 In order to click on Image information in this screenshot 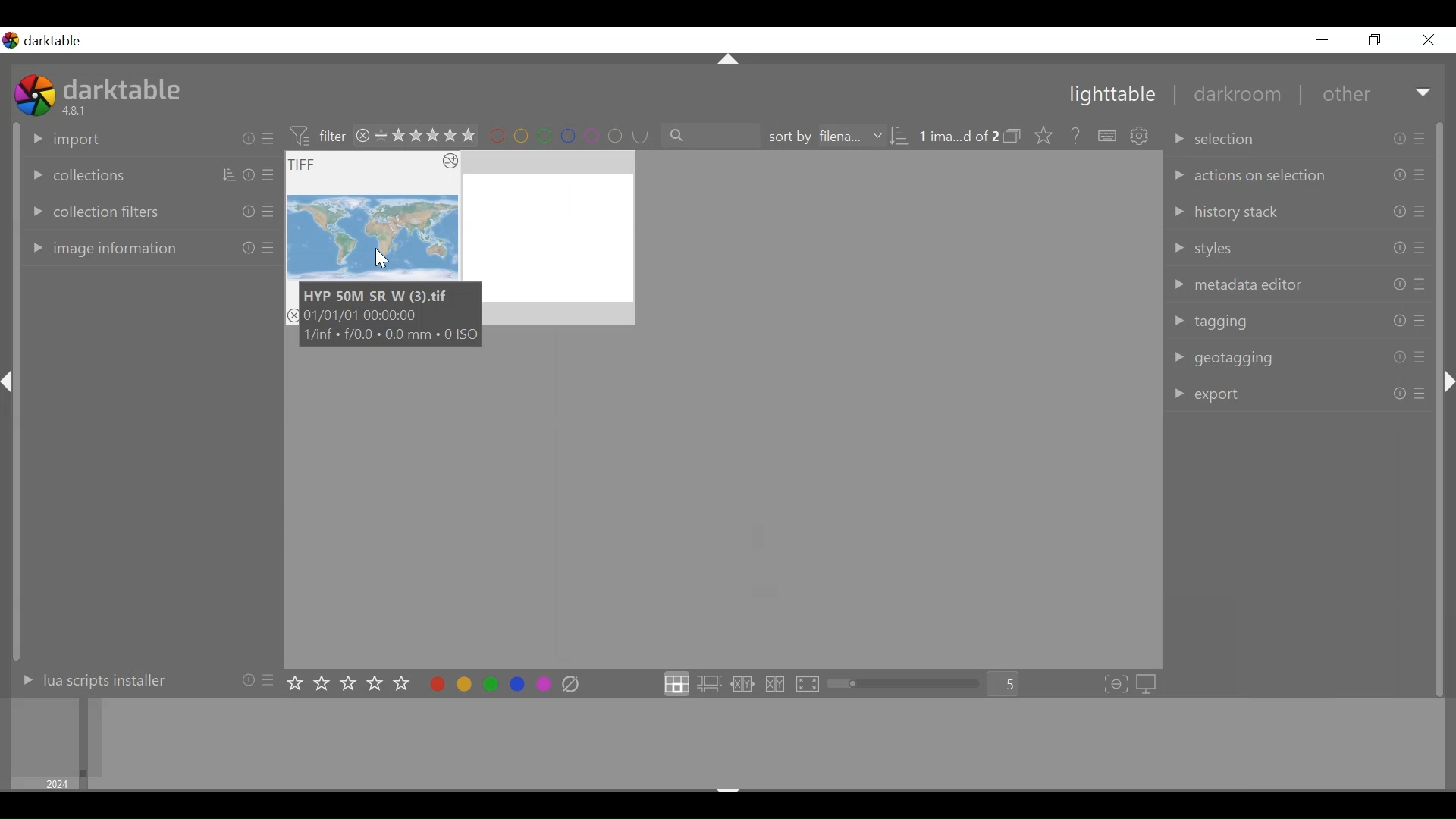, I will do `click(148, 249)`.